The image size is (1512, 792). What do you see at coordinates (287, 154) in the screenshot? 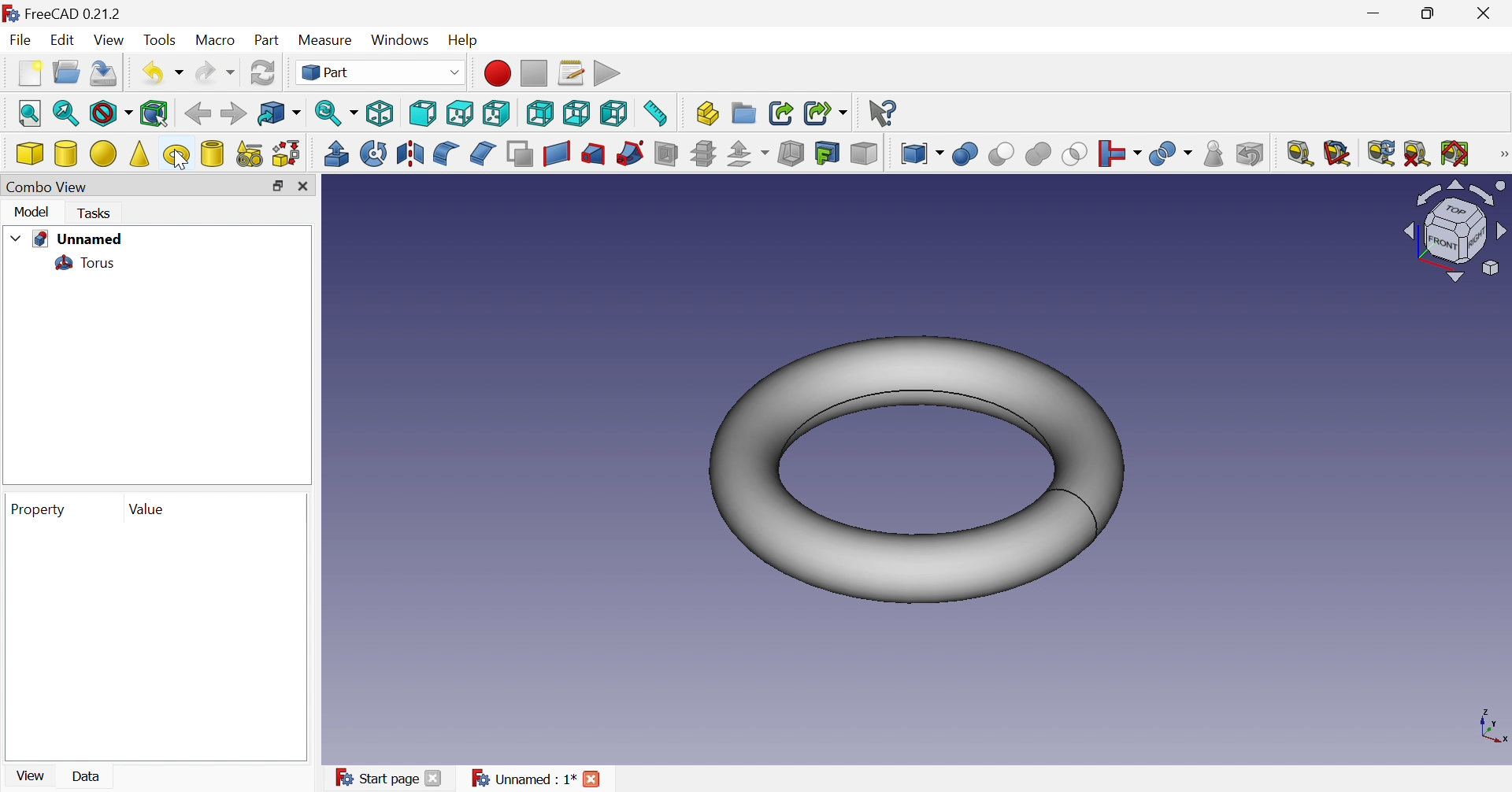
I see `Shape builder...` at bounding box center [287, 154].